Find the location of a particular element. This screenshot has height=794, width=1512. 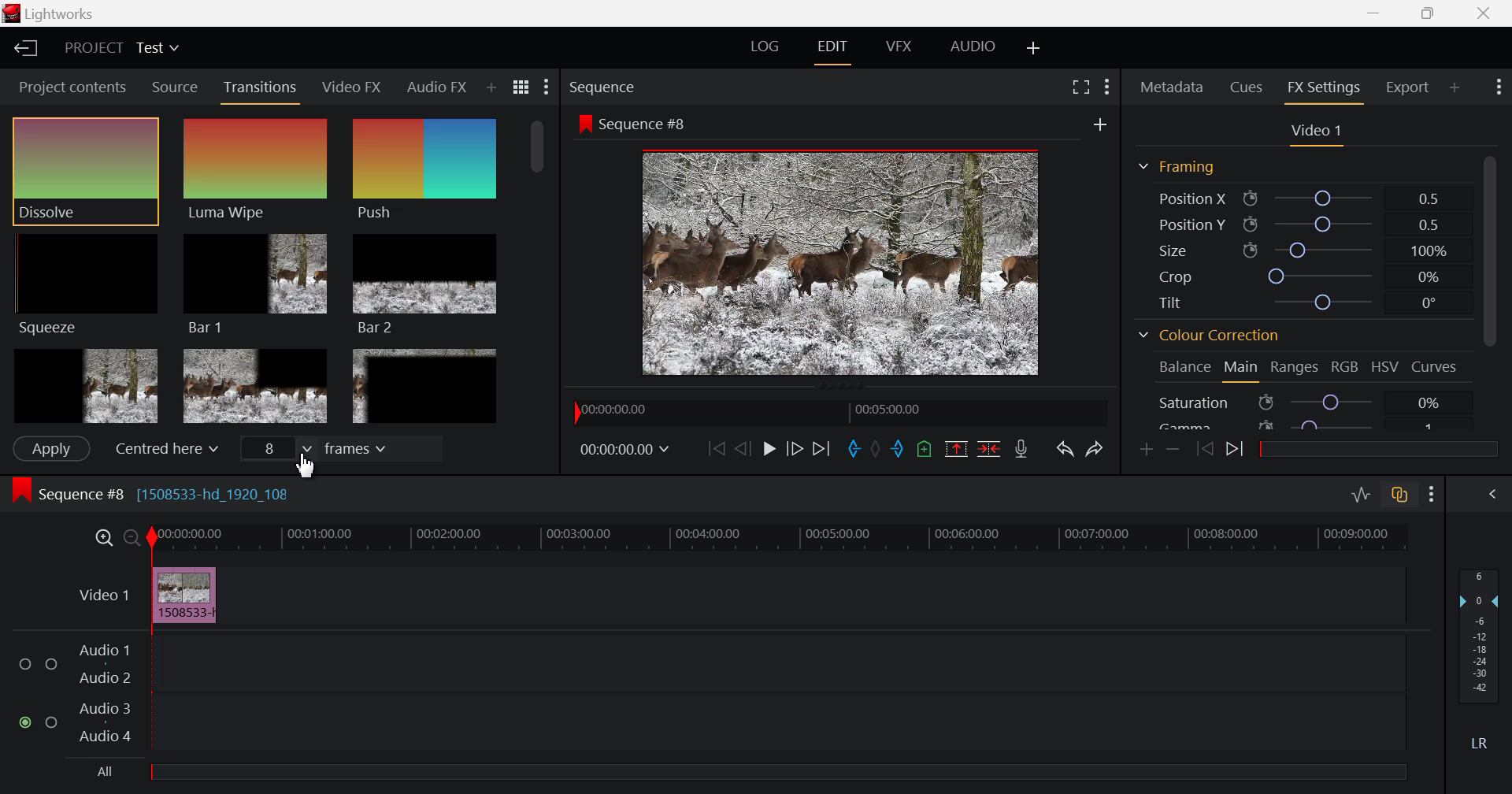

Toggle auto track sync is located at coordinates (1399, 495).